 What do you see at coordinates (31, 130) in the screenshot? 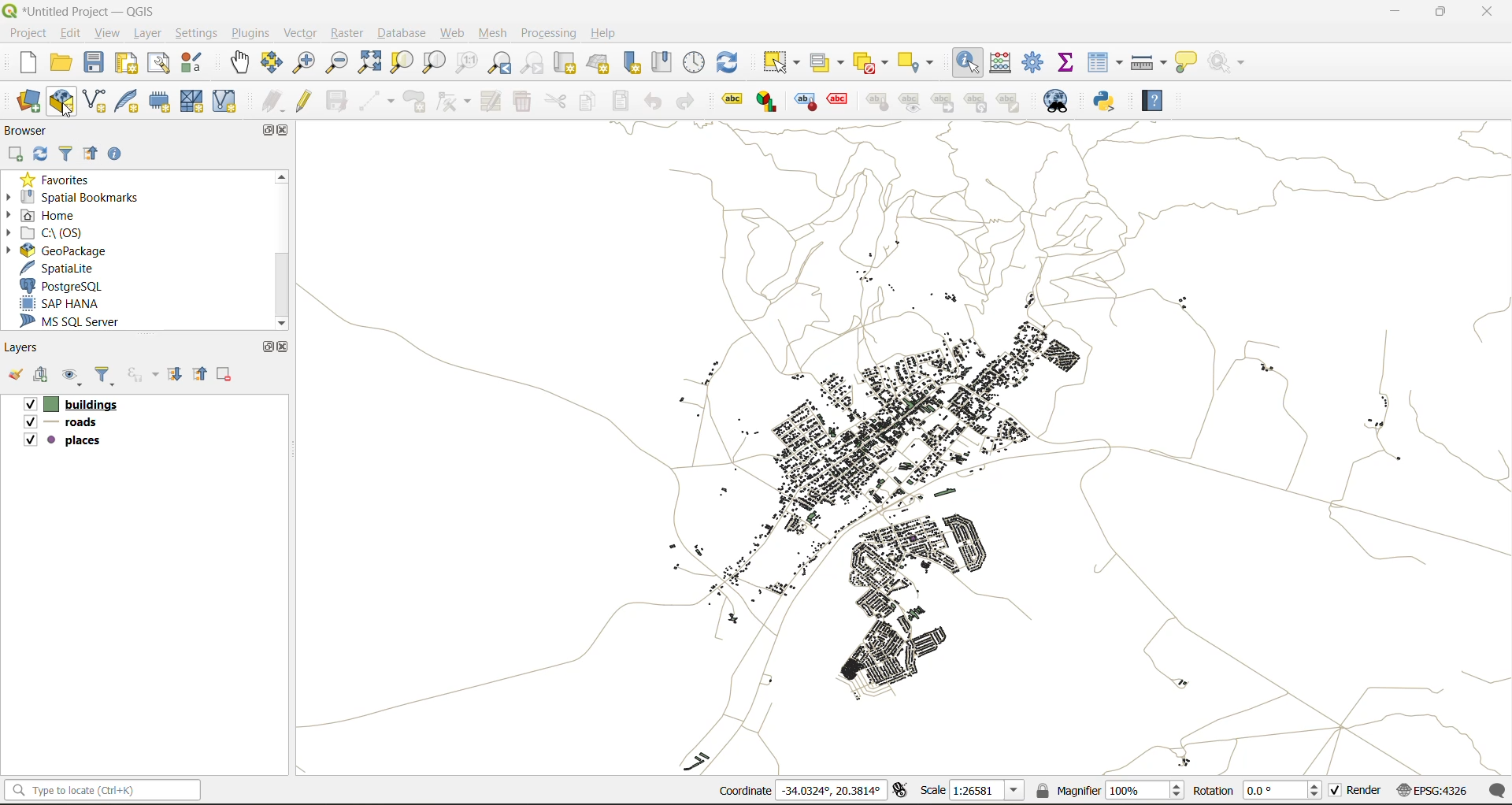
I see `browser` at bounding box center [31, 130].